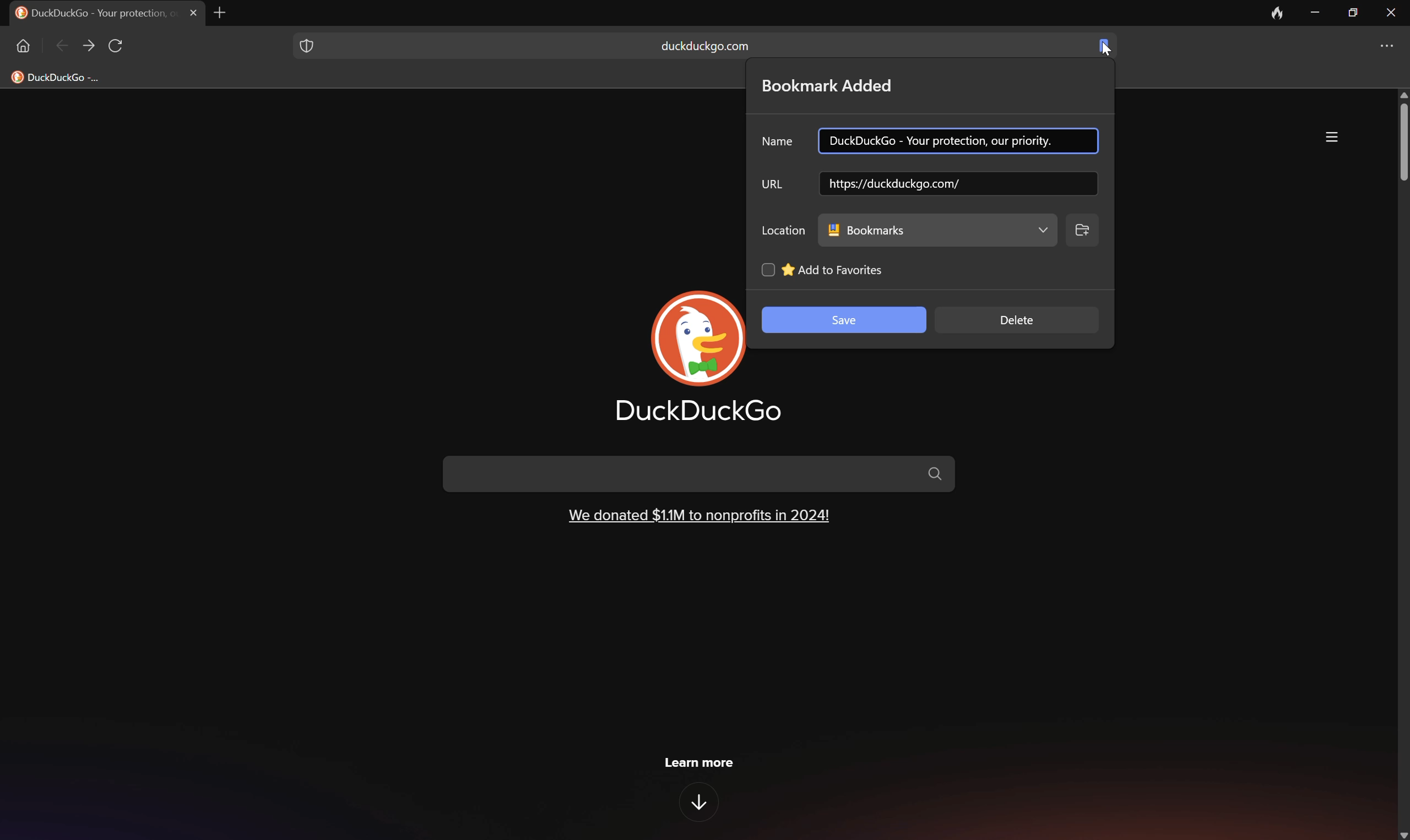  Describe the element at coordinates (1041, 230) in the screenshot. I see `Drop Down` at that location.